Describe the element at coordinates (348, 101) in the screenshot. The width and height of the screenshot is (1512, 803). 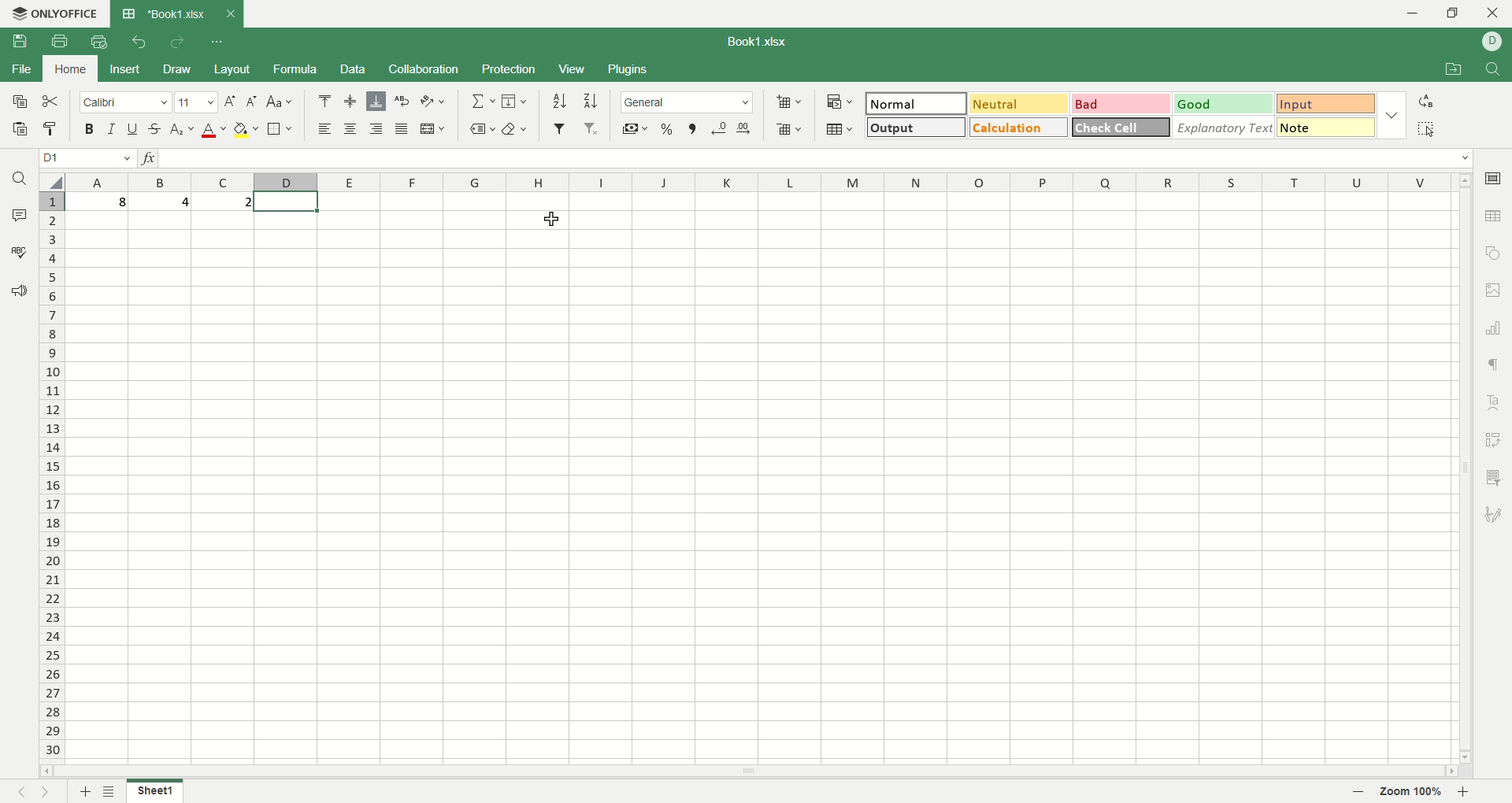
I see `align middle` at that location.